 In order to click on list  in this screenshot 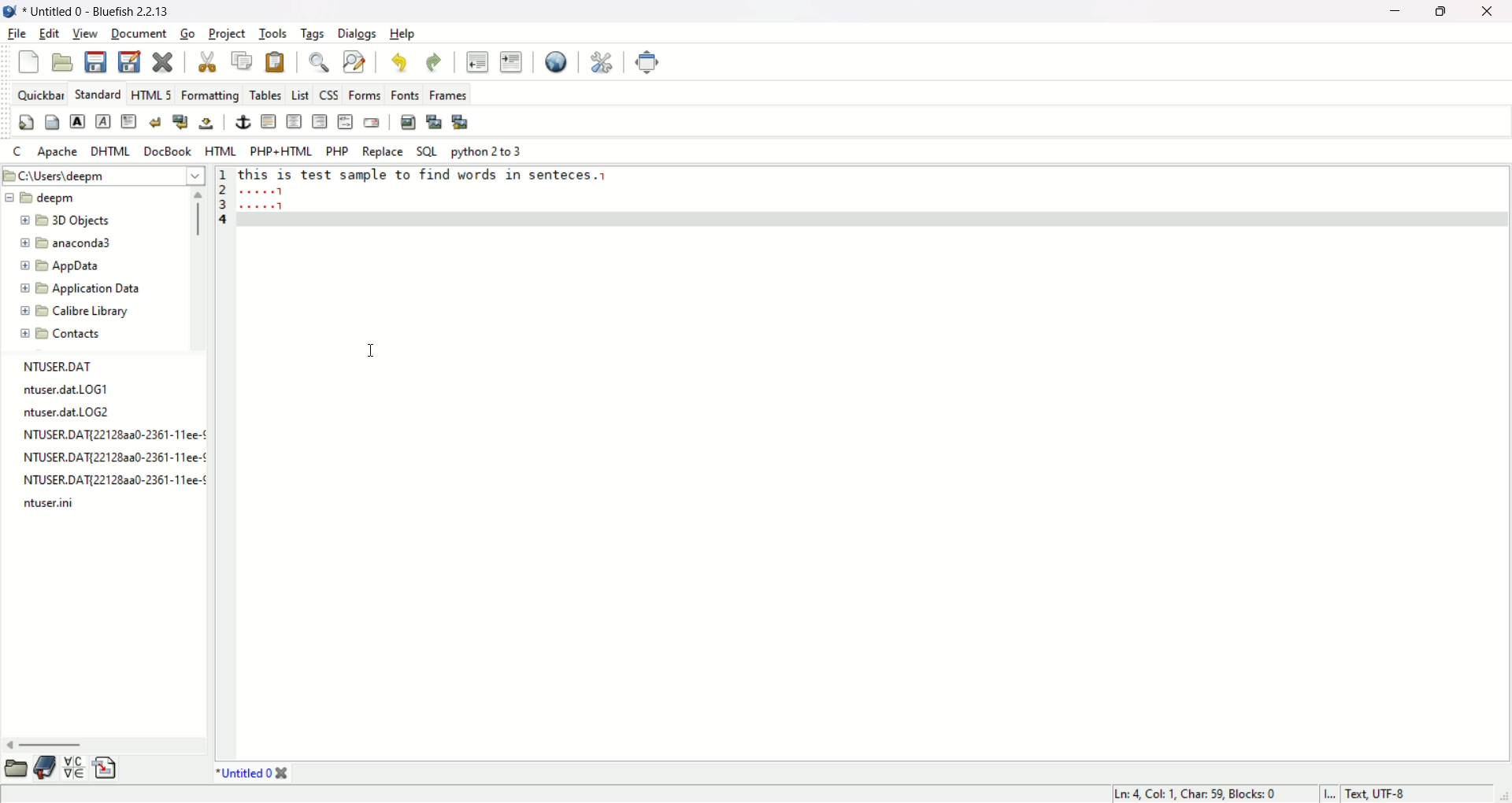, I will do `click(299, 94)`.